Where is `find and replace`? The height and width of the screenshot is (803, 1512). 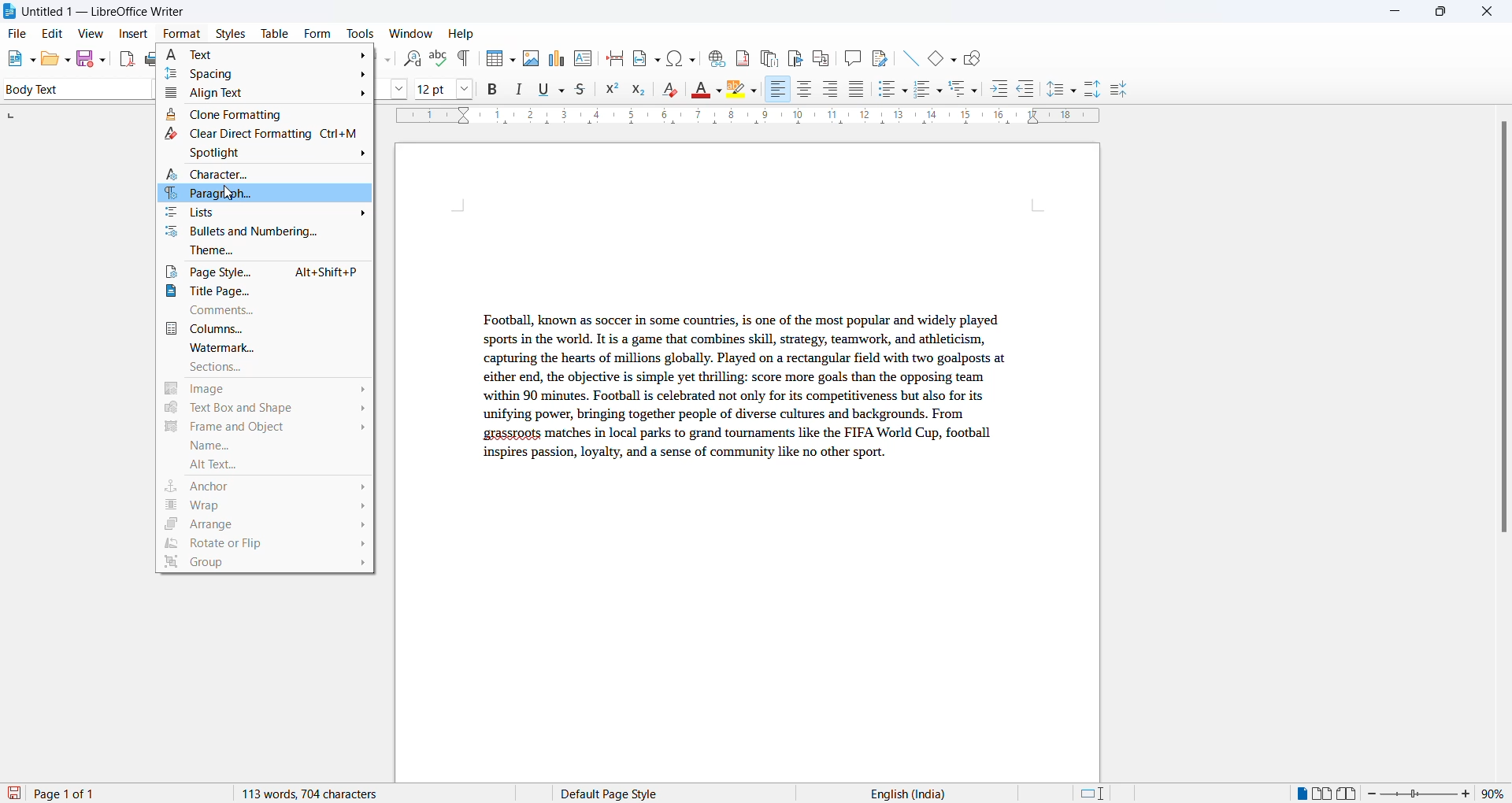
find and replace is located at coordinates (409, 57).